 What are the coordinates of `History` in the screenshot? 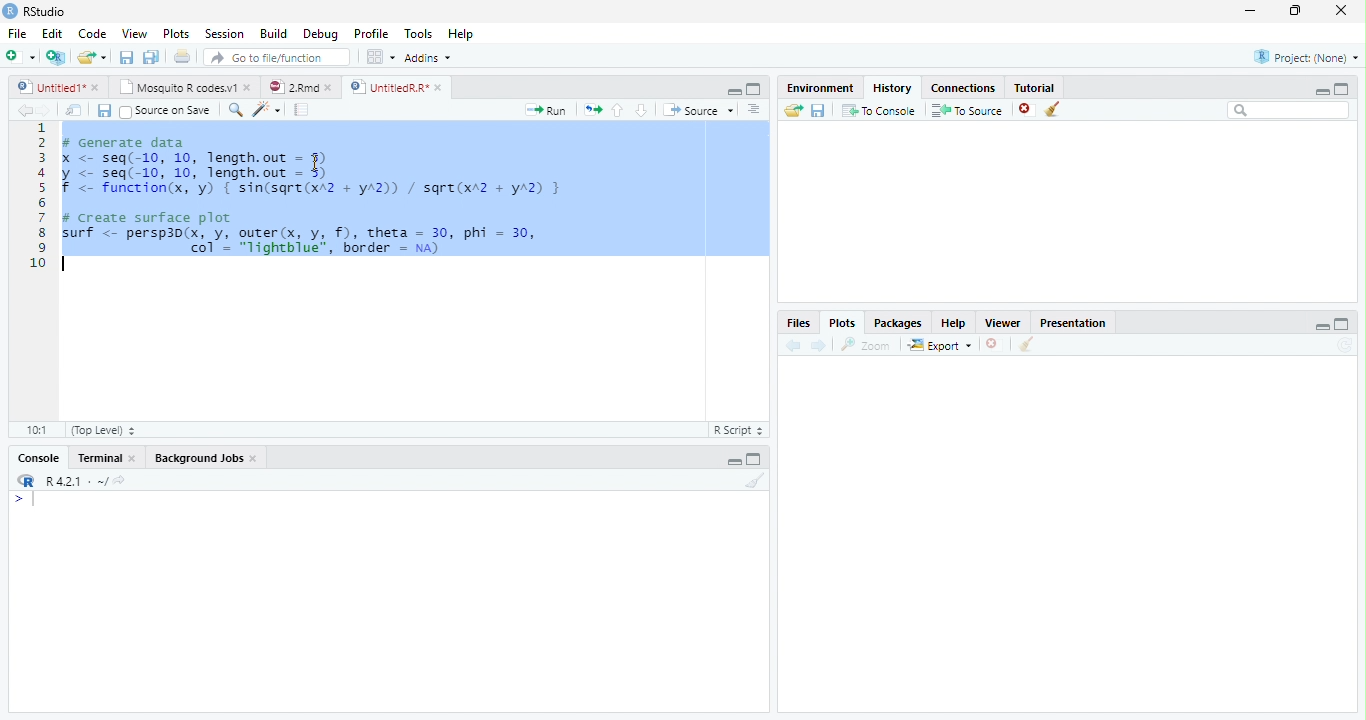 It's located at (893, 87).